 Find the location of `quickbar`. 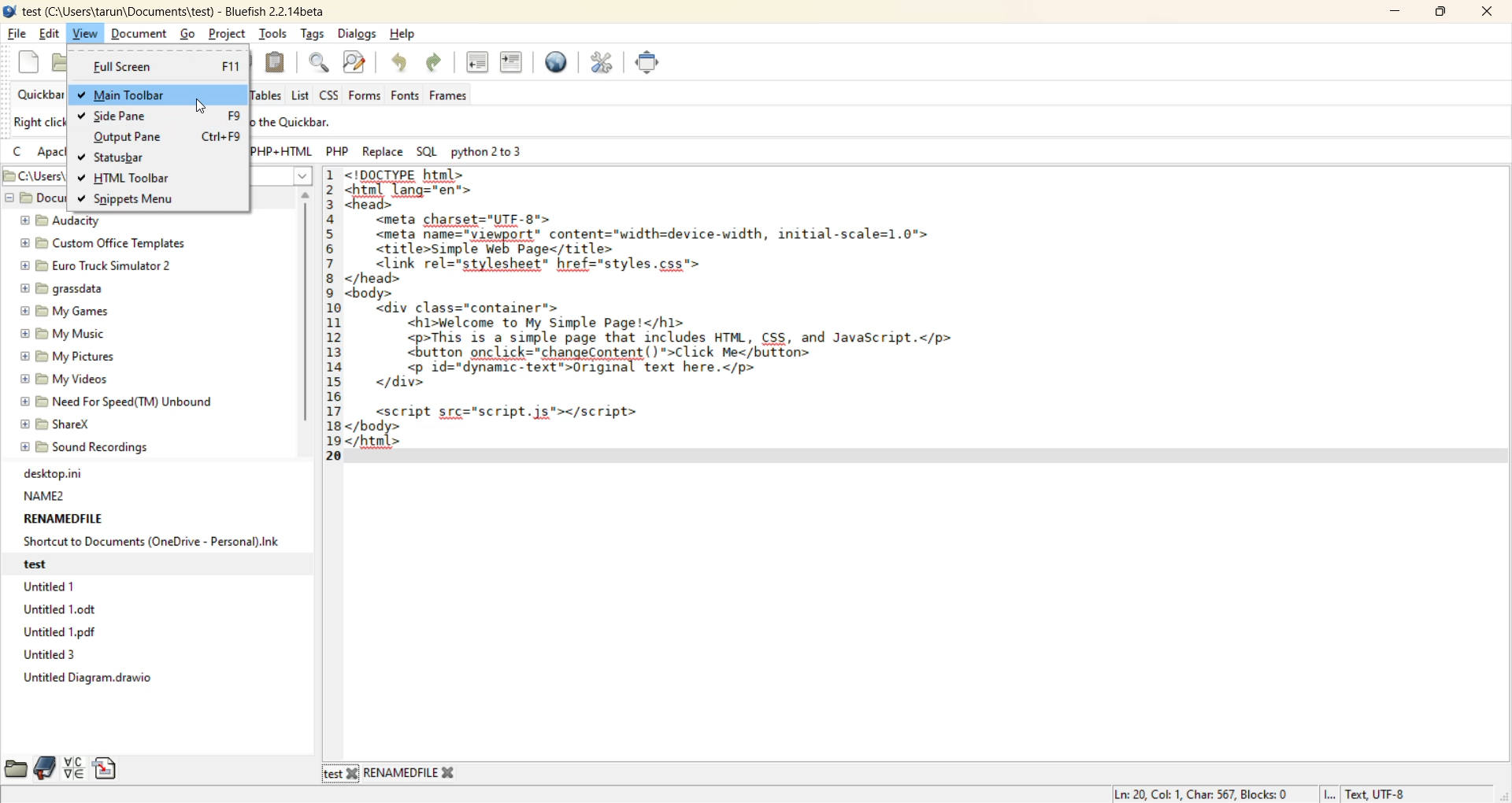

quickbar is located at coordinates (43, 94).